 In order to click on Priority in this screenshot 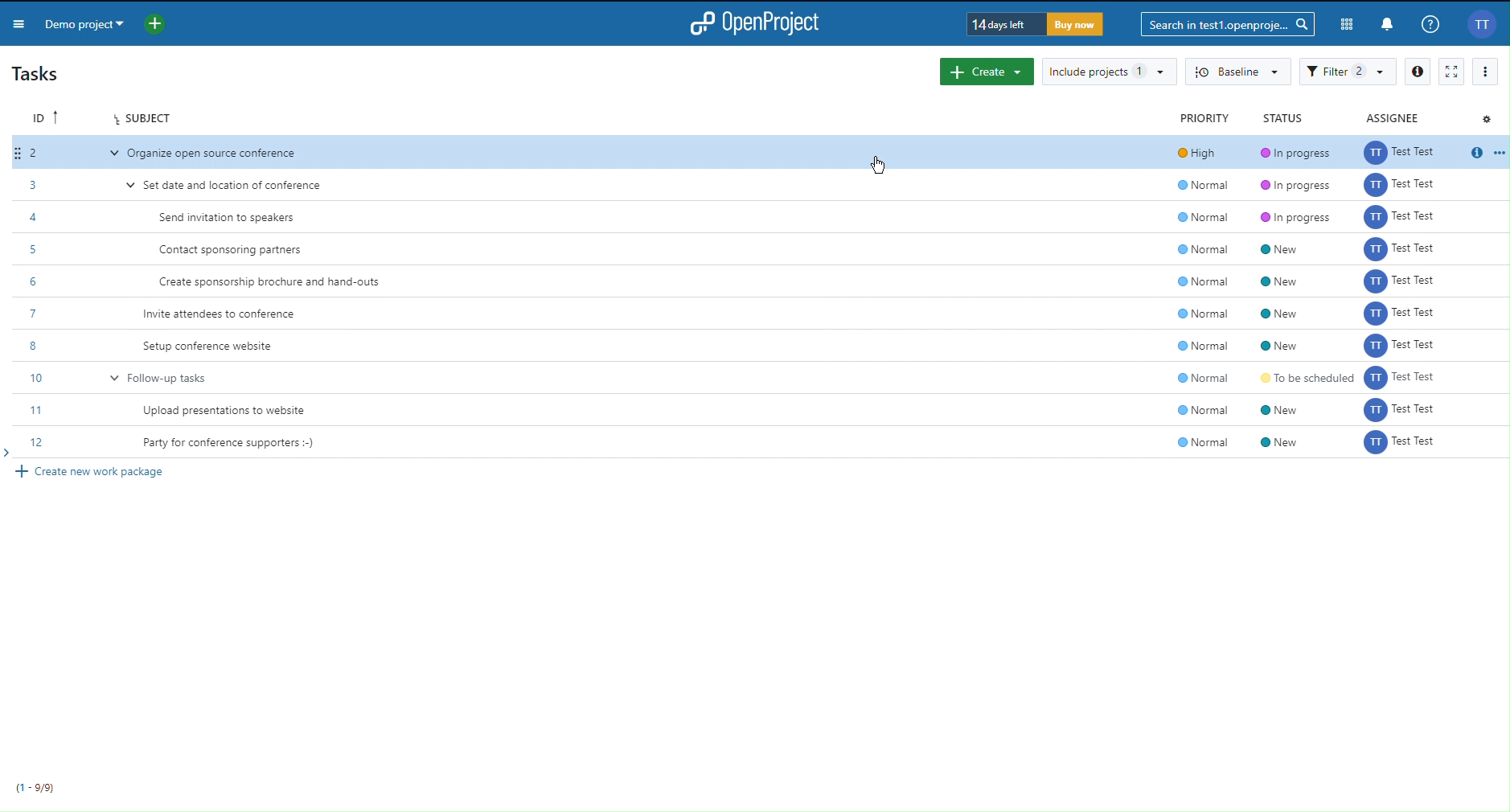, I will do `click(1203, 117)`.